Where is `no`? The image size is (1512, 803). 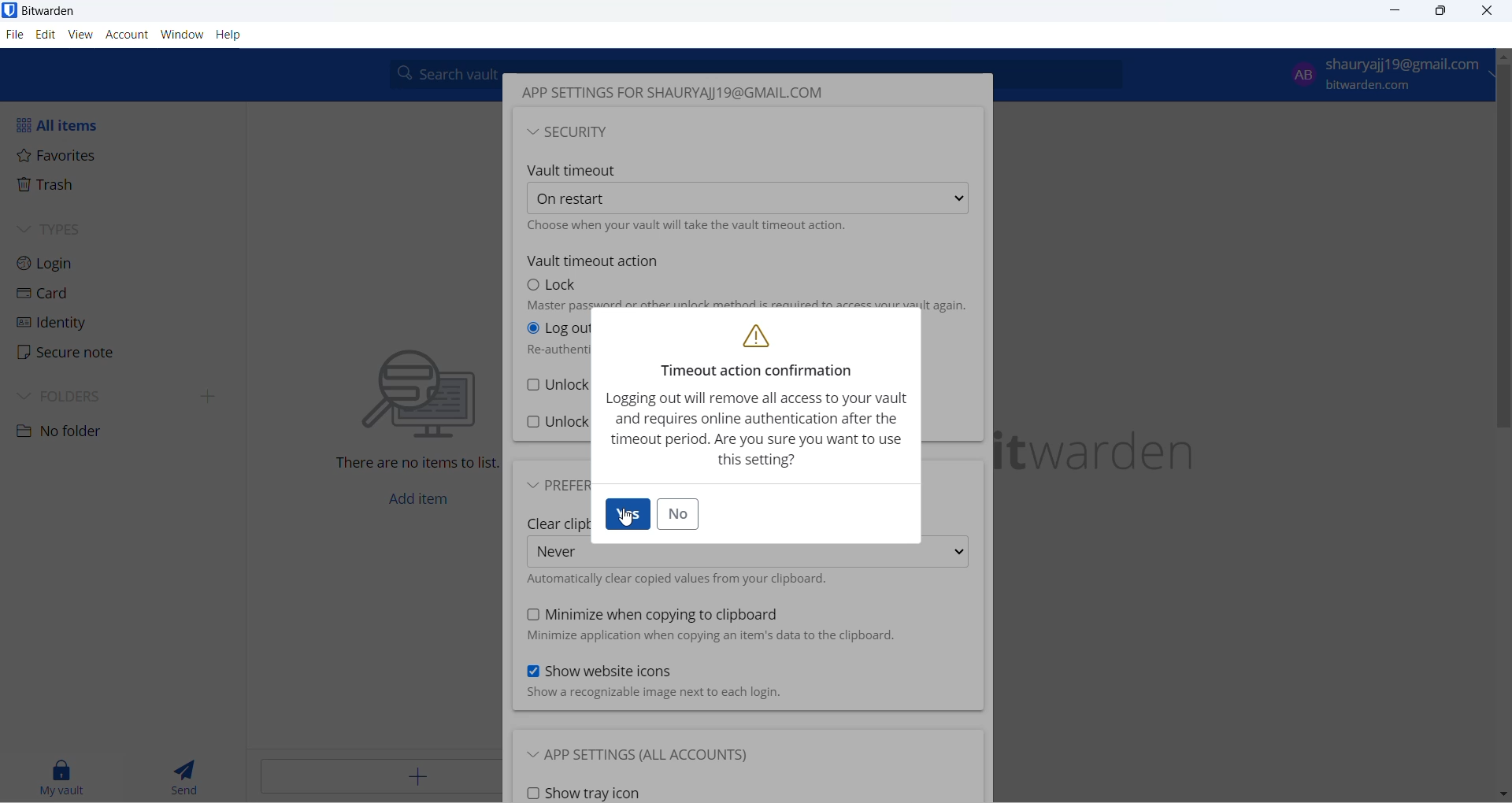
no is located at coordinates (676, 515).